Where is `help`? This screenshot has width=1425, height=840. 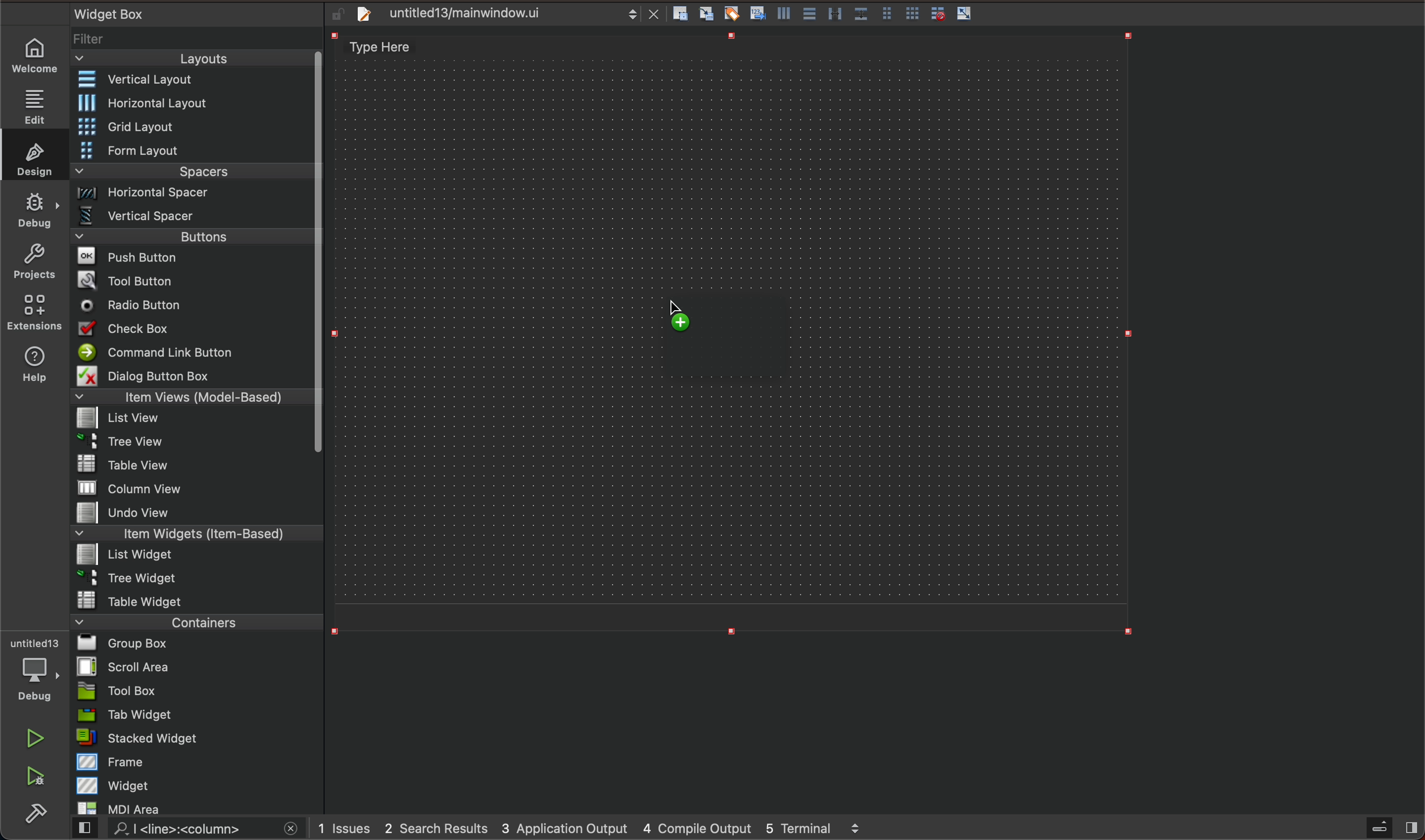
help is located at coordinates (33, 368).